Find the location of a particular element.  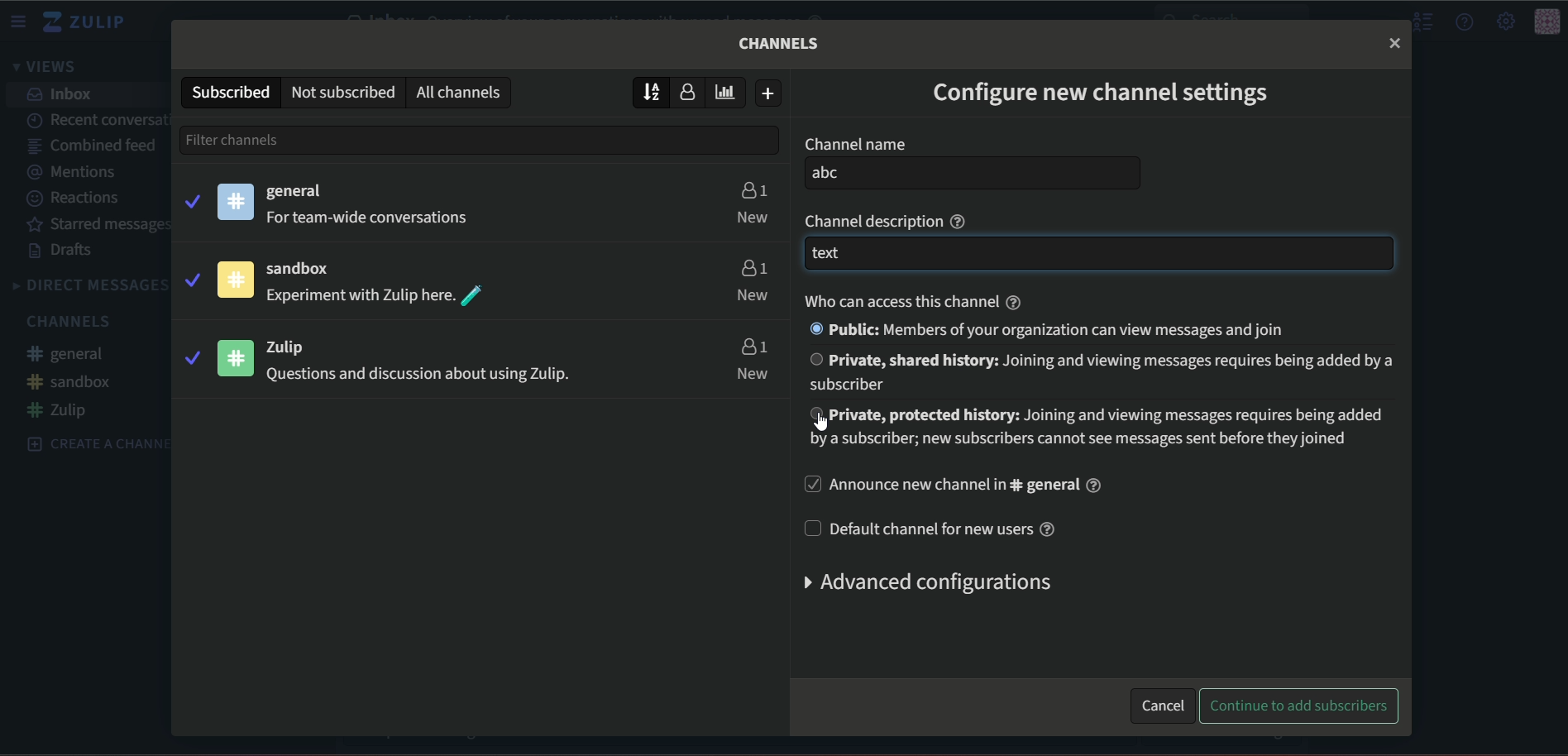

default channel for new users is located at coordinates (936, 529).